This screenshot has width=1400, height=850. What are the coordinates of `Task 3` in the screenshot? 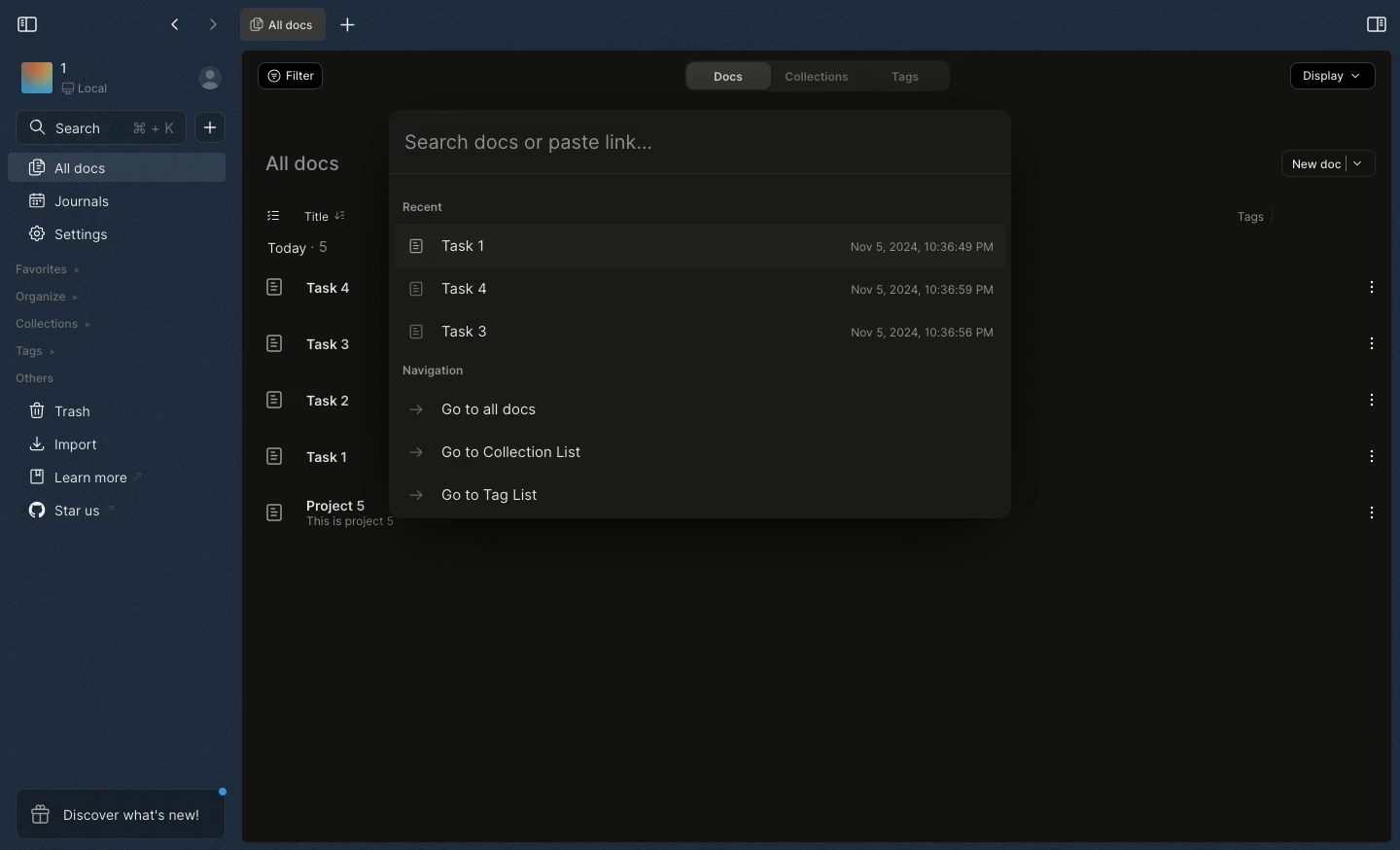 It's located at (304, 341).